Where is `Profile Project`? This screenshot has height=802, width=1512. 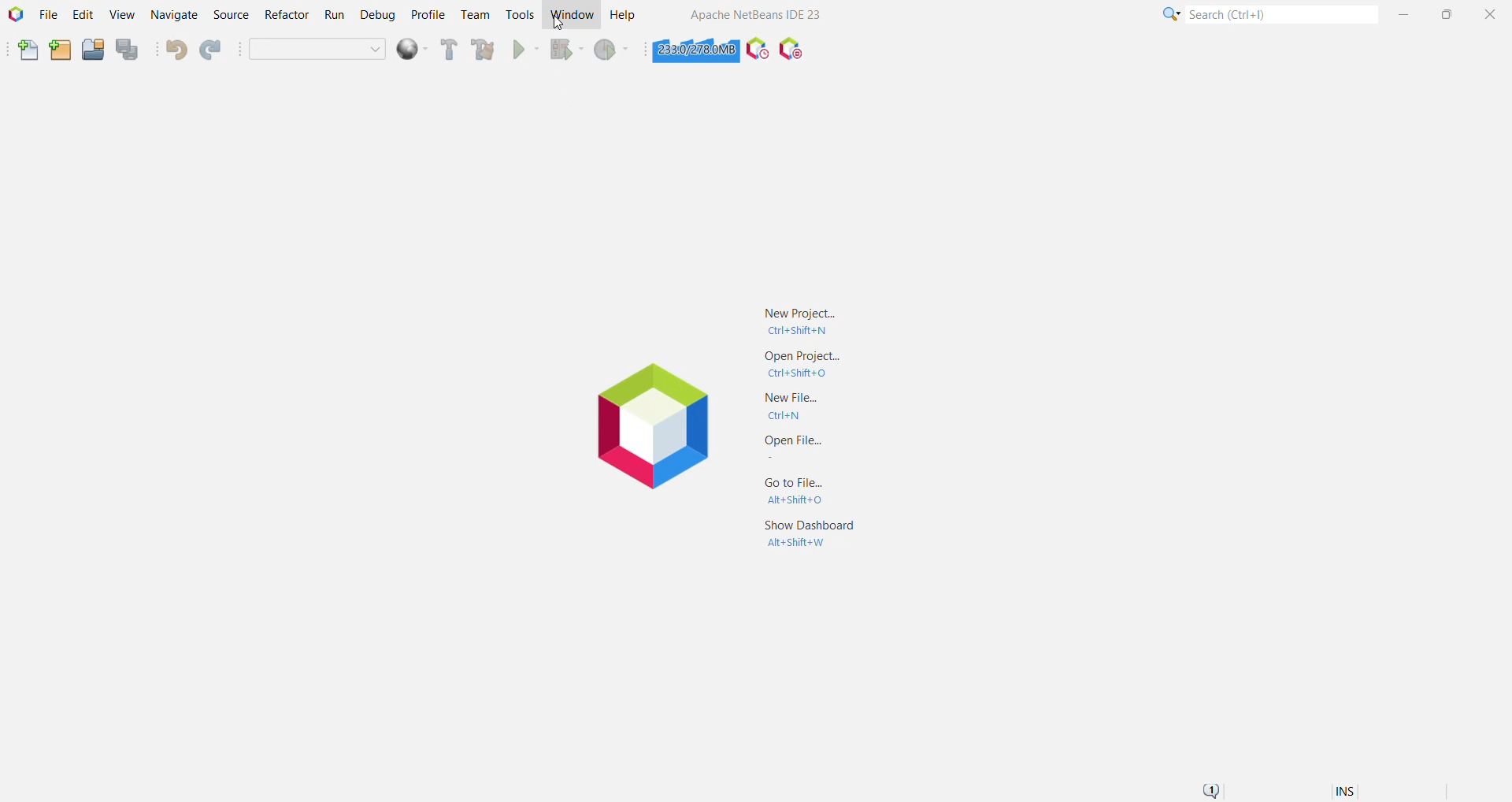 Profile Project is located at coordinates (613, 51).